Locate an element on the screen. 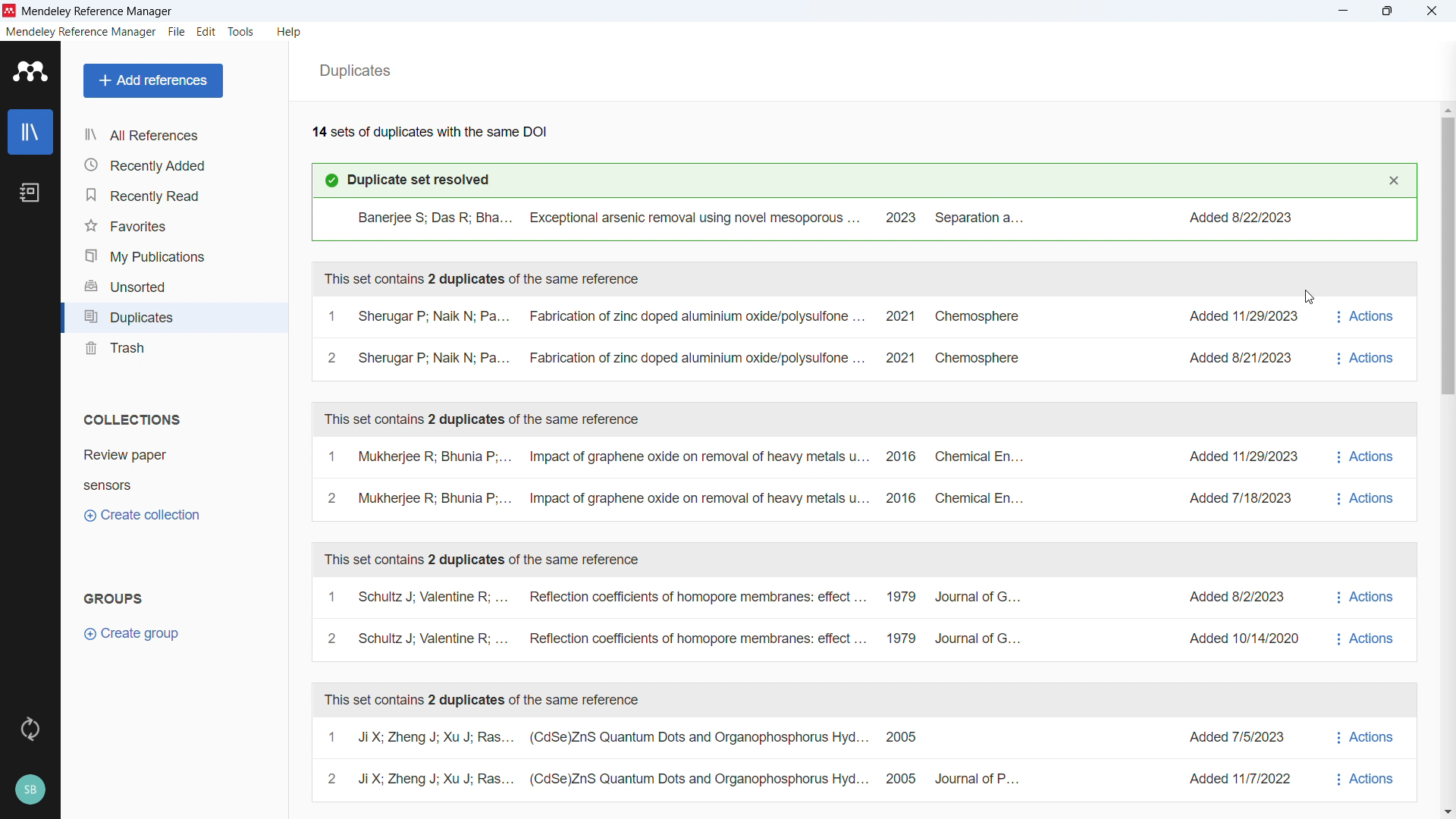 This screenshot has height=819, width=1456. Added 7/5/2023 is located at coordinates (1226, 736).